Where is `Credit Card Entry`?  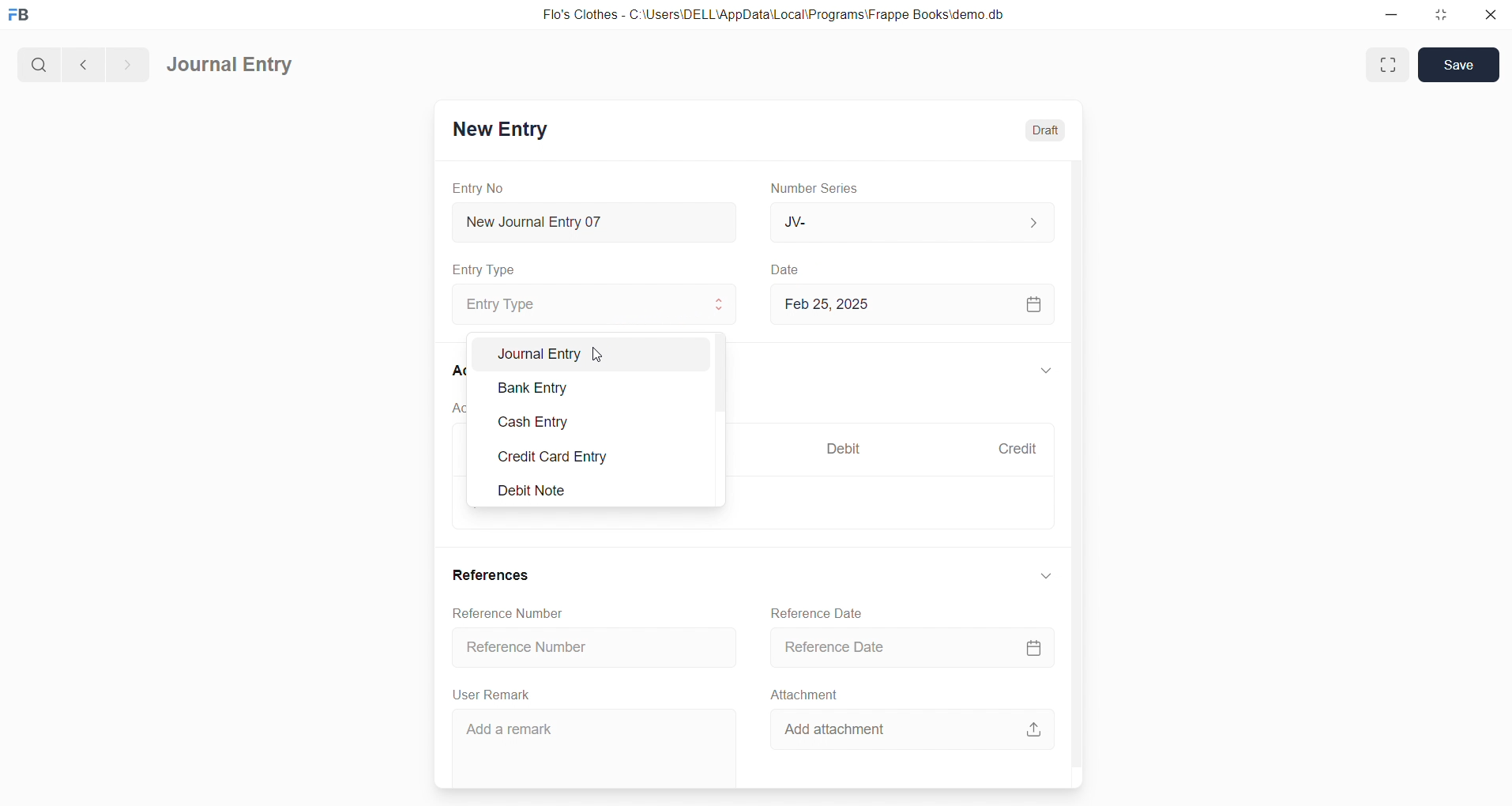
Credit Card Entry is located at coordinates (596, 458).